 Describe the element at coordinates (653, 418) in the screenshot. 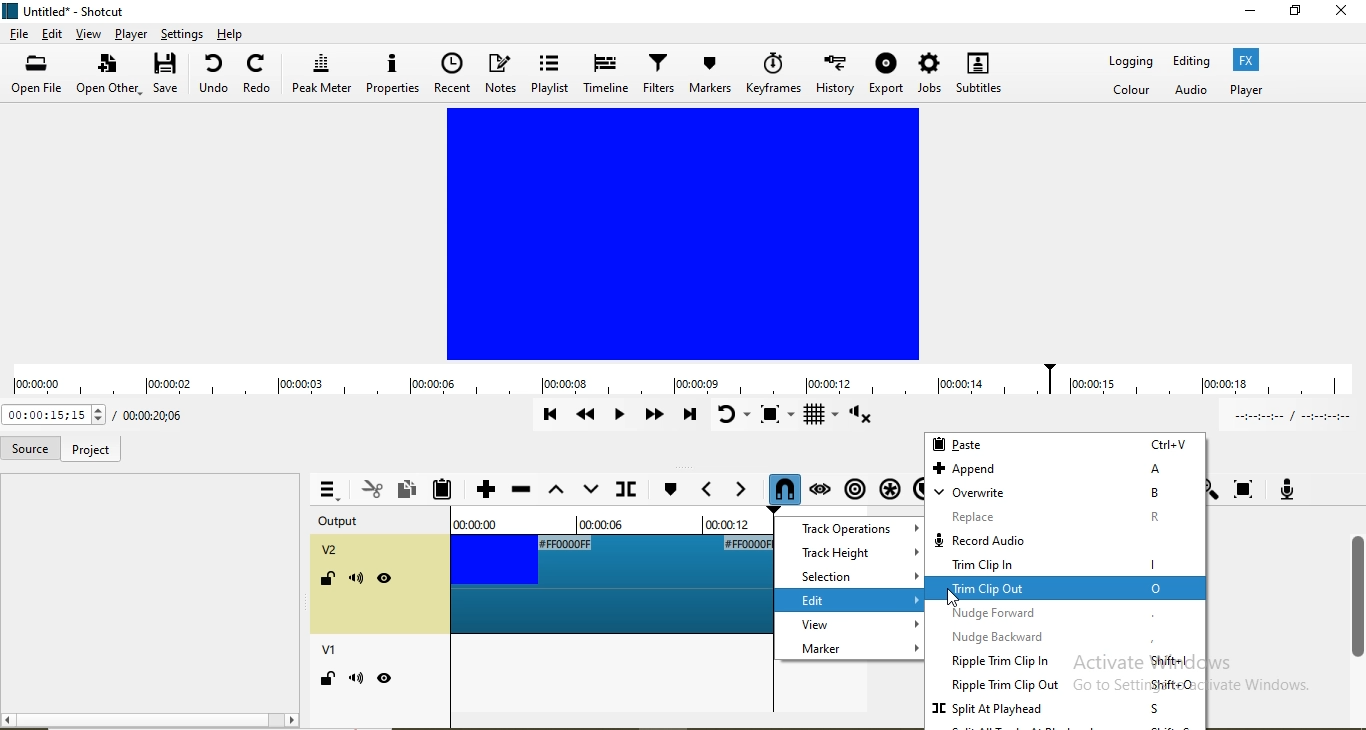

I see `Play quickly forward` at that location.